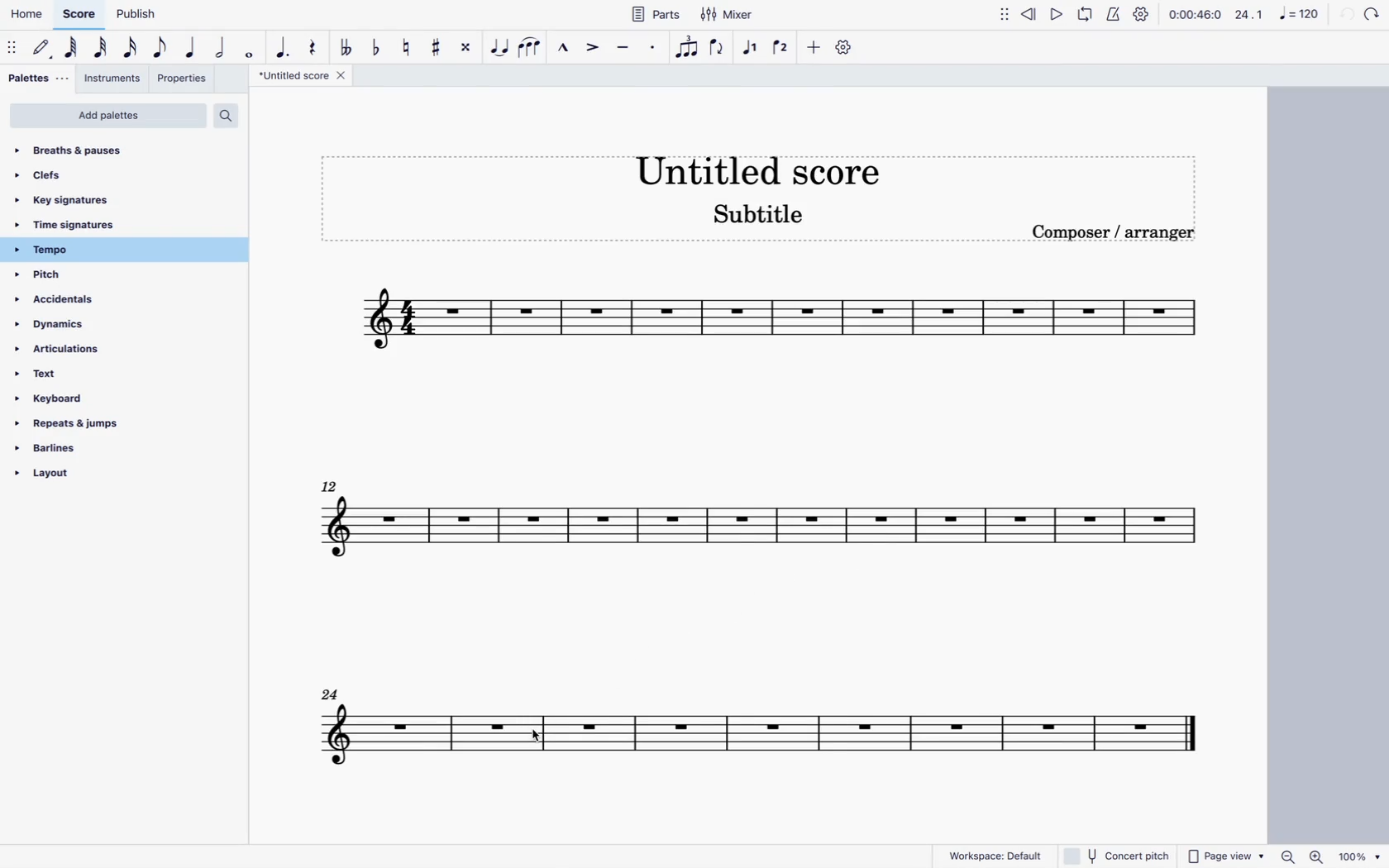  Describe the element at coordinates (719, 47) in the screenshot. I see `flip direction` at that location.